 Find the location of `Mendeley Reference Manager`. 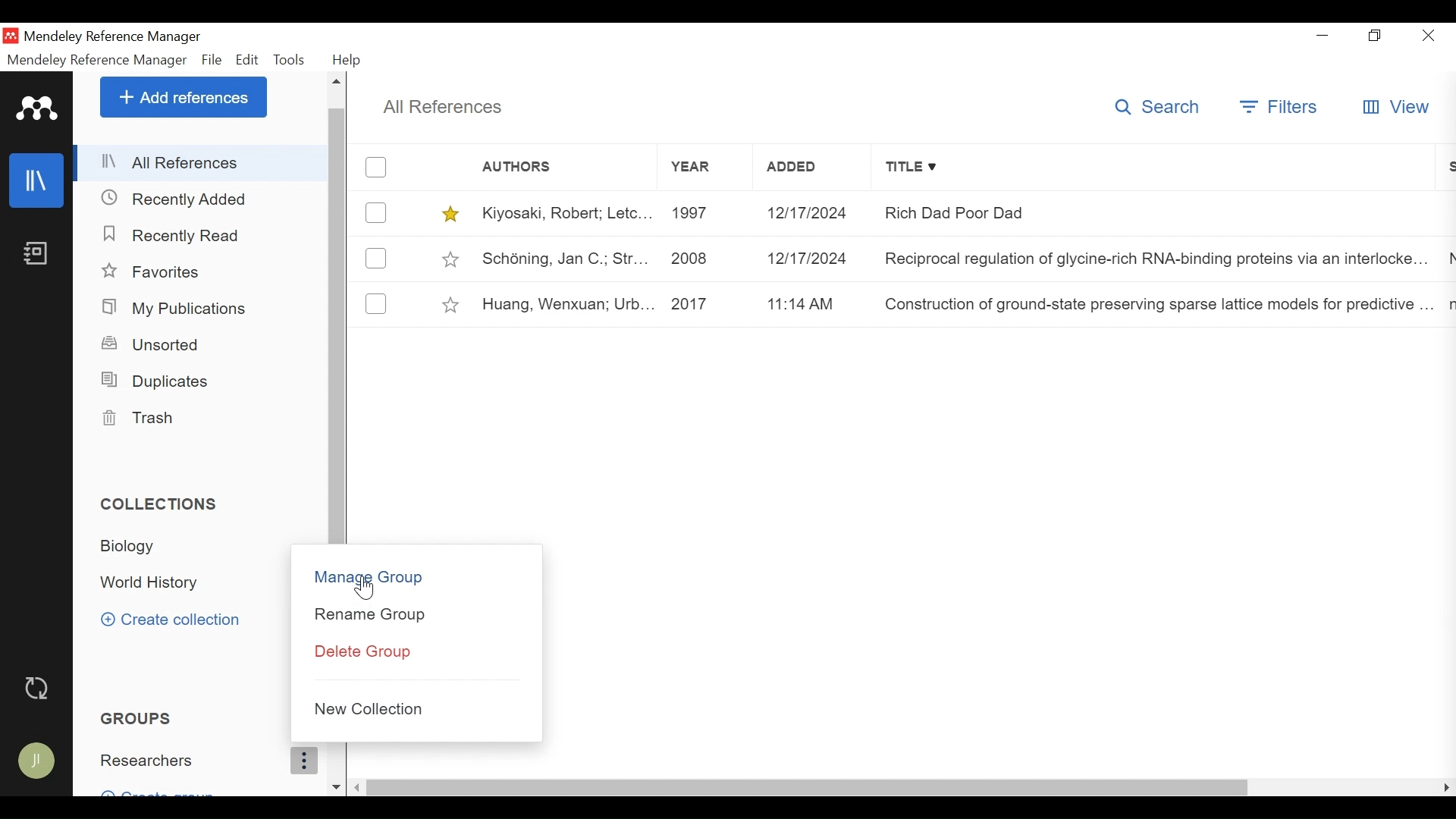

Mendeley Reference Manager is located at coordinates (98, 60).